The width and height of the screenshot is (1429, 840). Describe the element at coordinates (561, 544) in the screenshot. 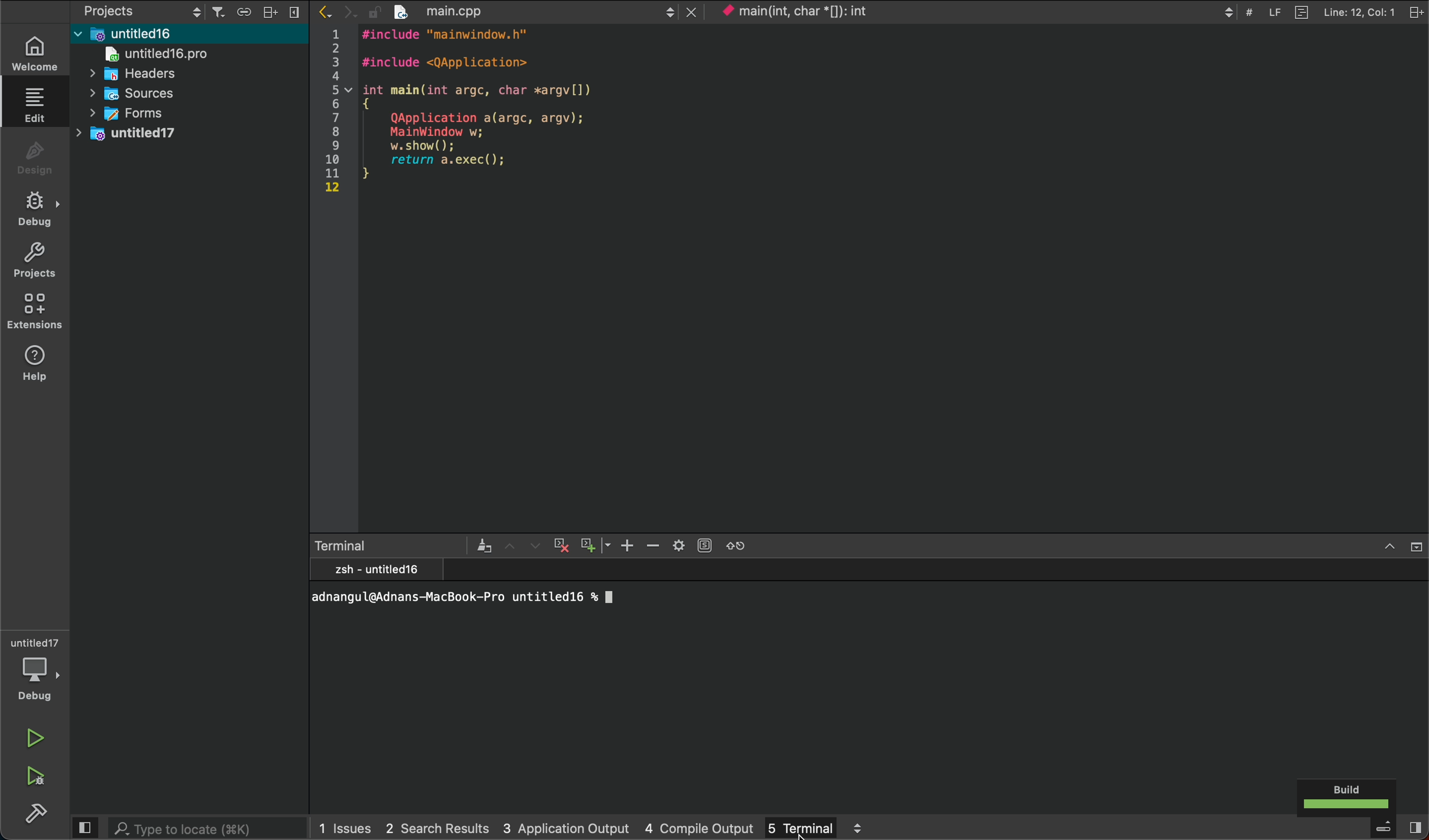

I see `cross` at that location.